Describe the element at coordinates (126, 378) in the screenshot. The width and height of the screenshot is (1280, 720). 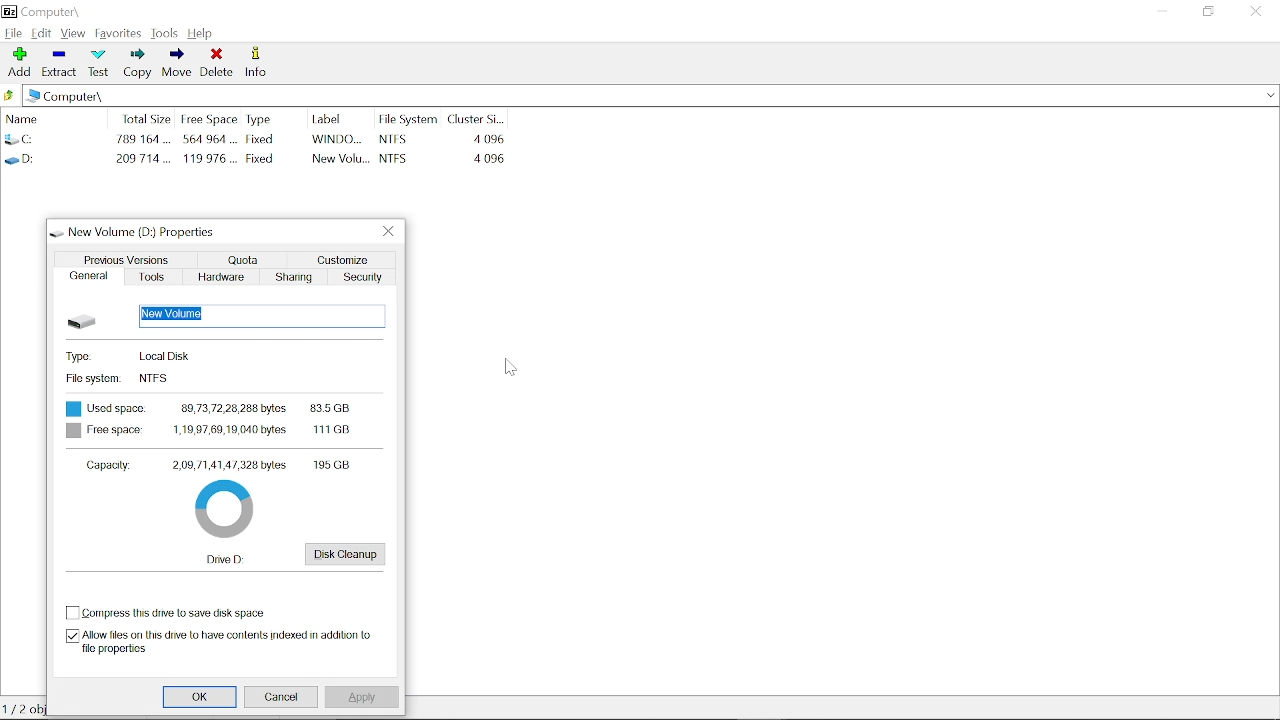
I see `File System NTFS` at that location.